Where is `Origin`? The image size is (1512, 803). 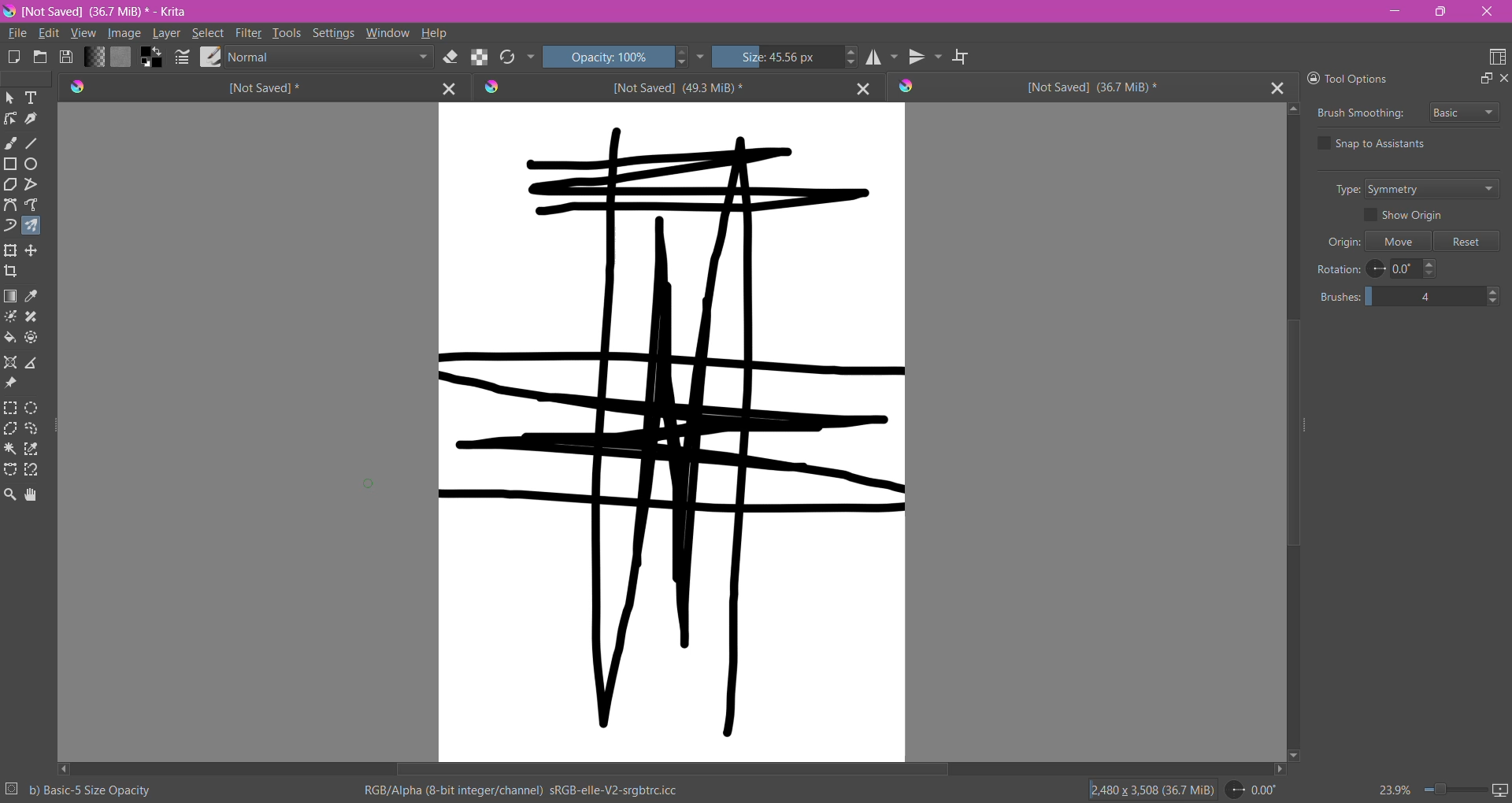
Origin is located at coordinates (1339, 243).